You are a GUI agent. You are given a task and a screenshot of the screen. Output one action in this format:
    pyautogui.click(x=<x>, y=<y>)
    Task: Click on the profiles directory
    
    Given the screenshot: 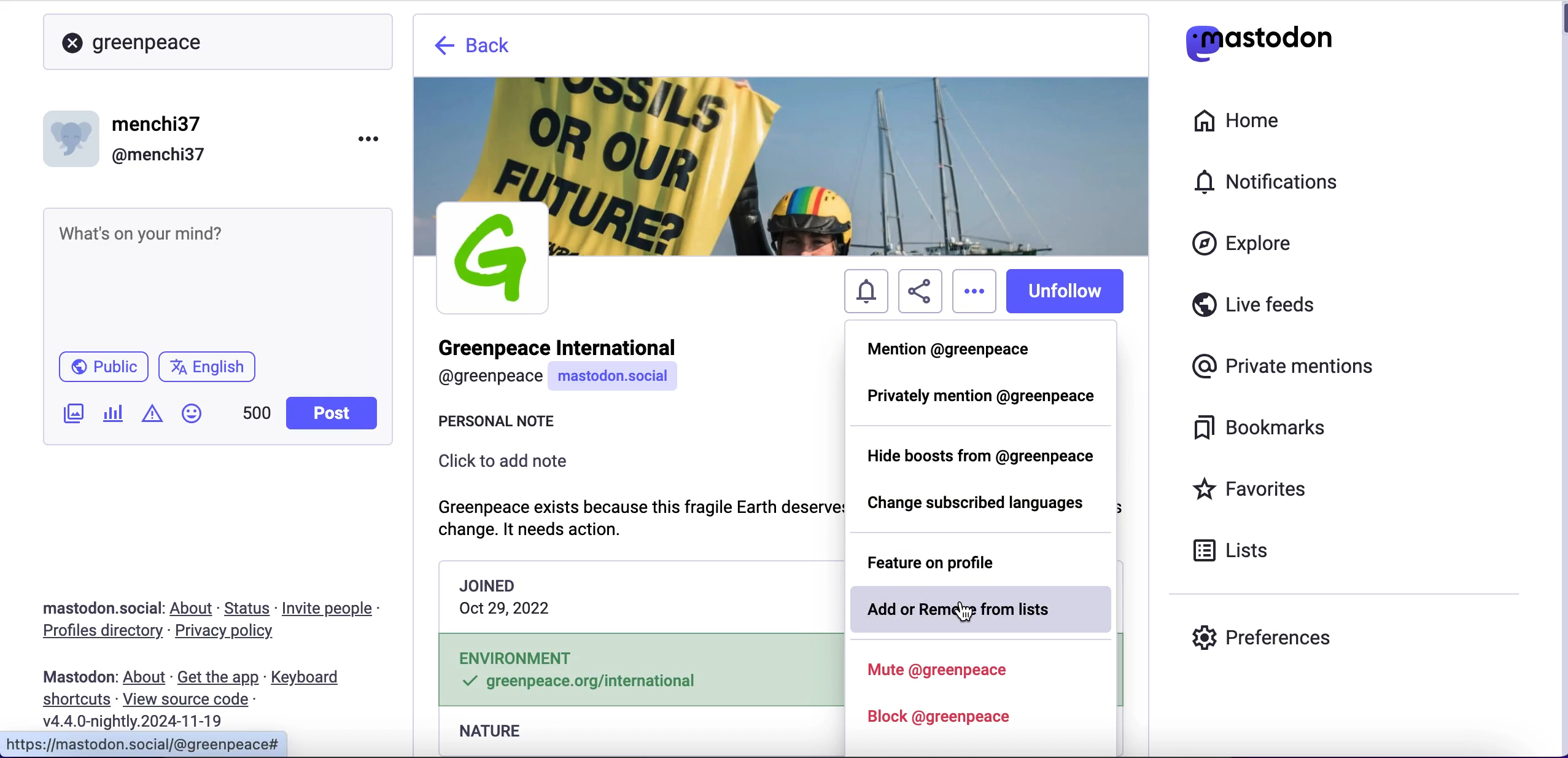 What is the action you would take?
    pyautogui.click(x=95, y=633)
    